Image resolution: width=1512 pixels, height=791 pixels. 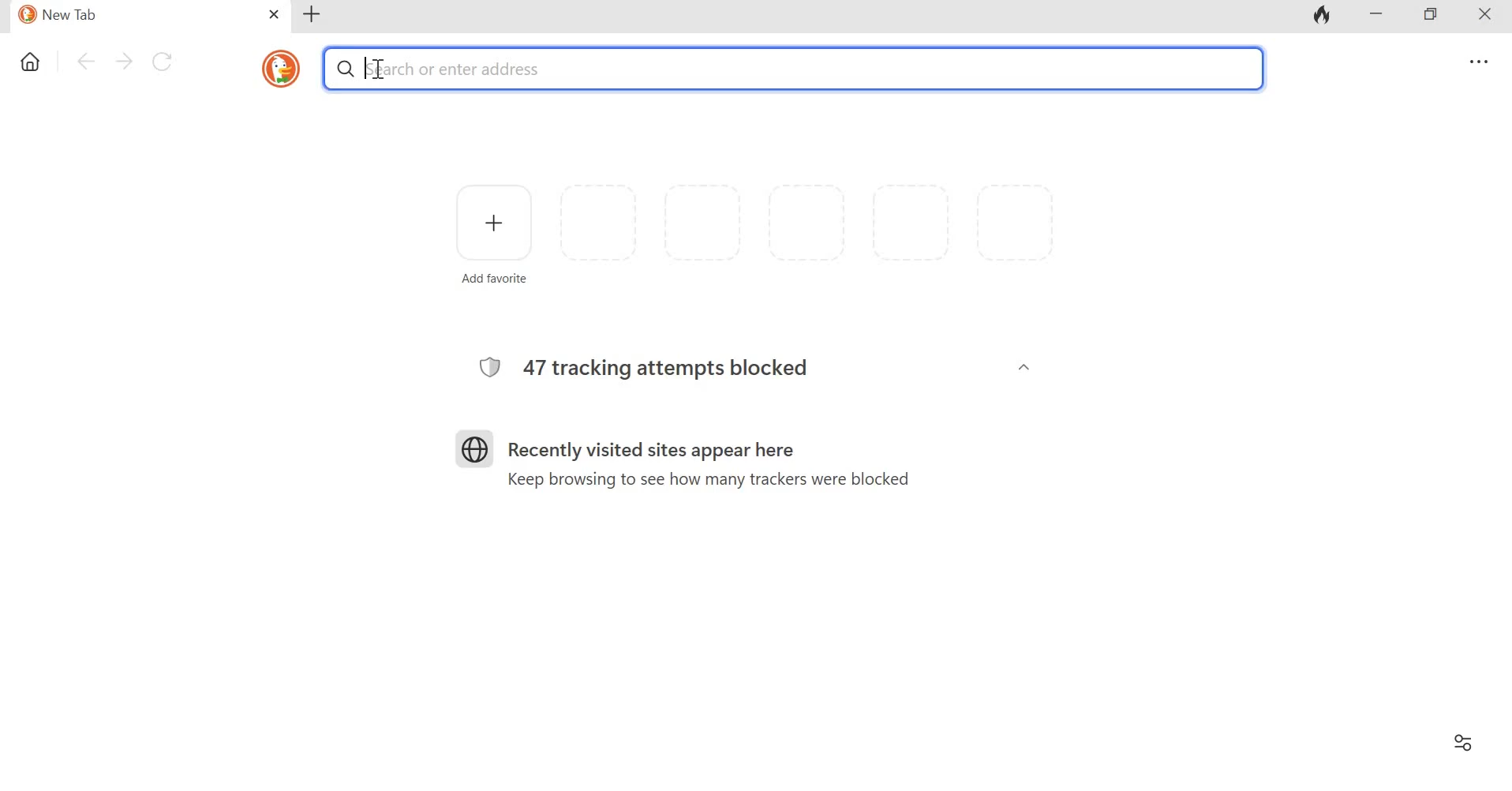 What do you see at coordinates (165, 60) in the screenshot?
I see `Reload this page` at bounding box center [165, 60].